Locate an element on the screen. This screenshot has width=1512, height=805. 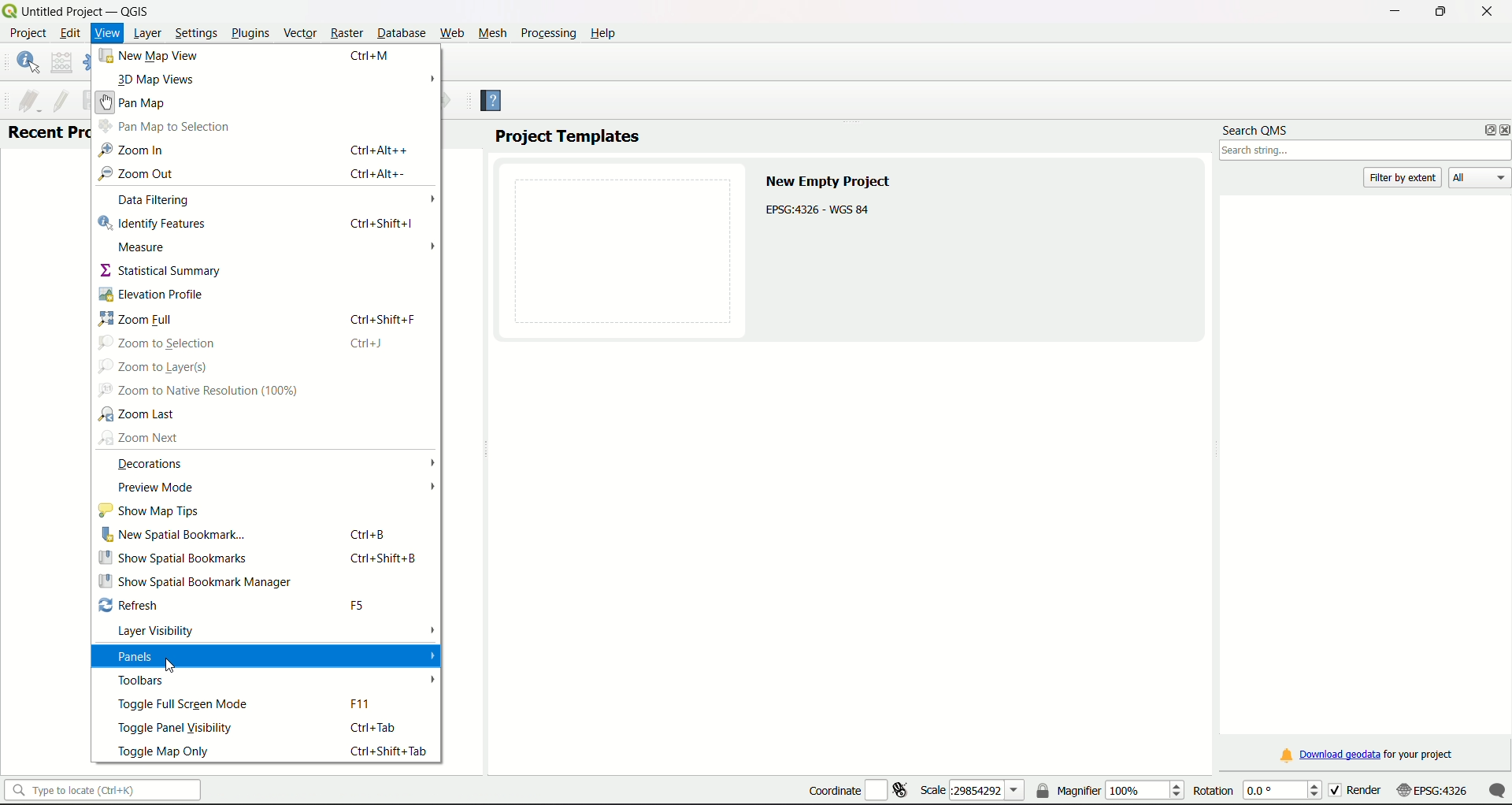
close is located at coordinates (1486, 10).